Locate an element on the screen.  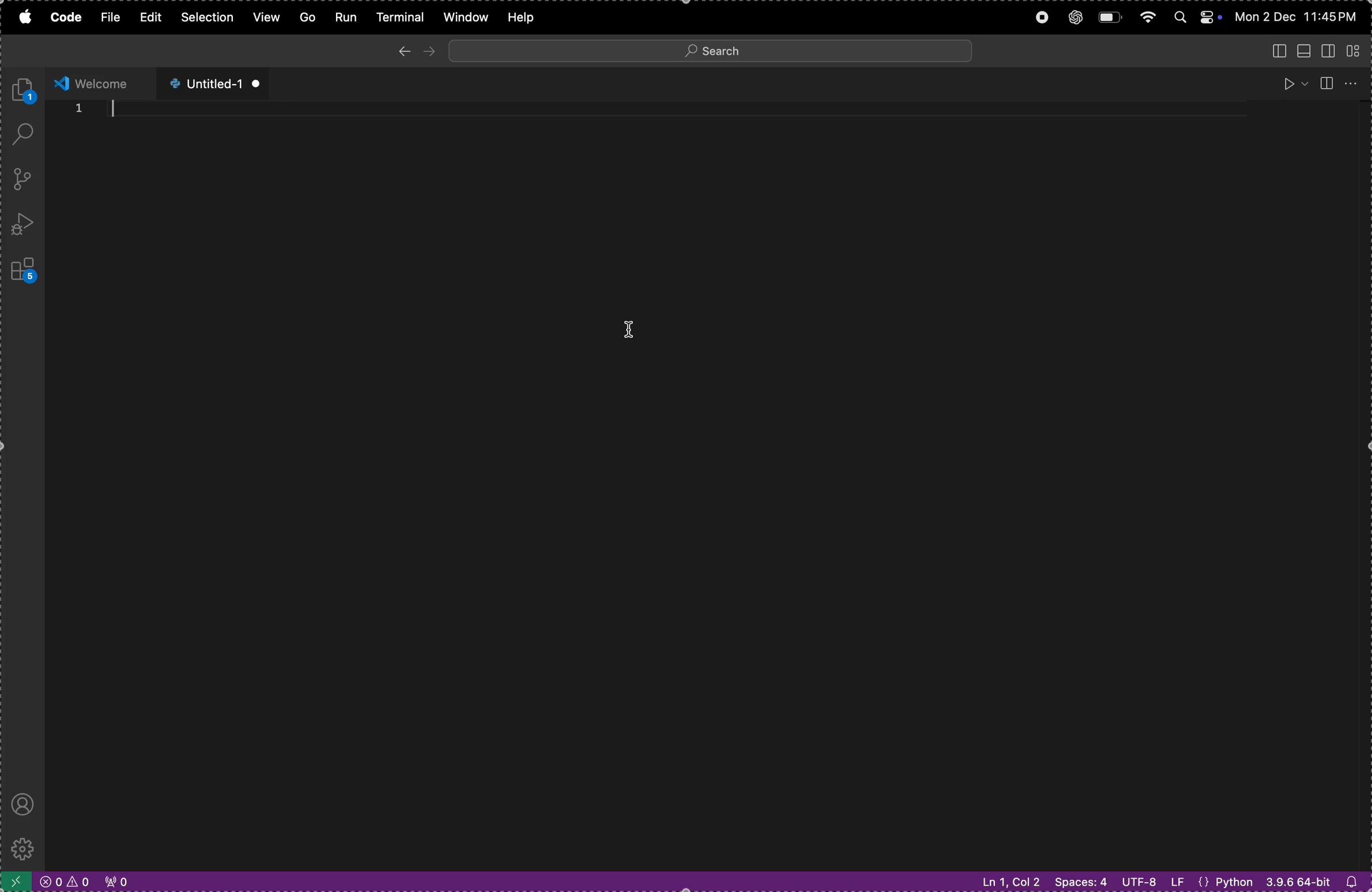
Open a remote window is located at coordinates (14, 880).